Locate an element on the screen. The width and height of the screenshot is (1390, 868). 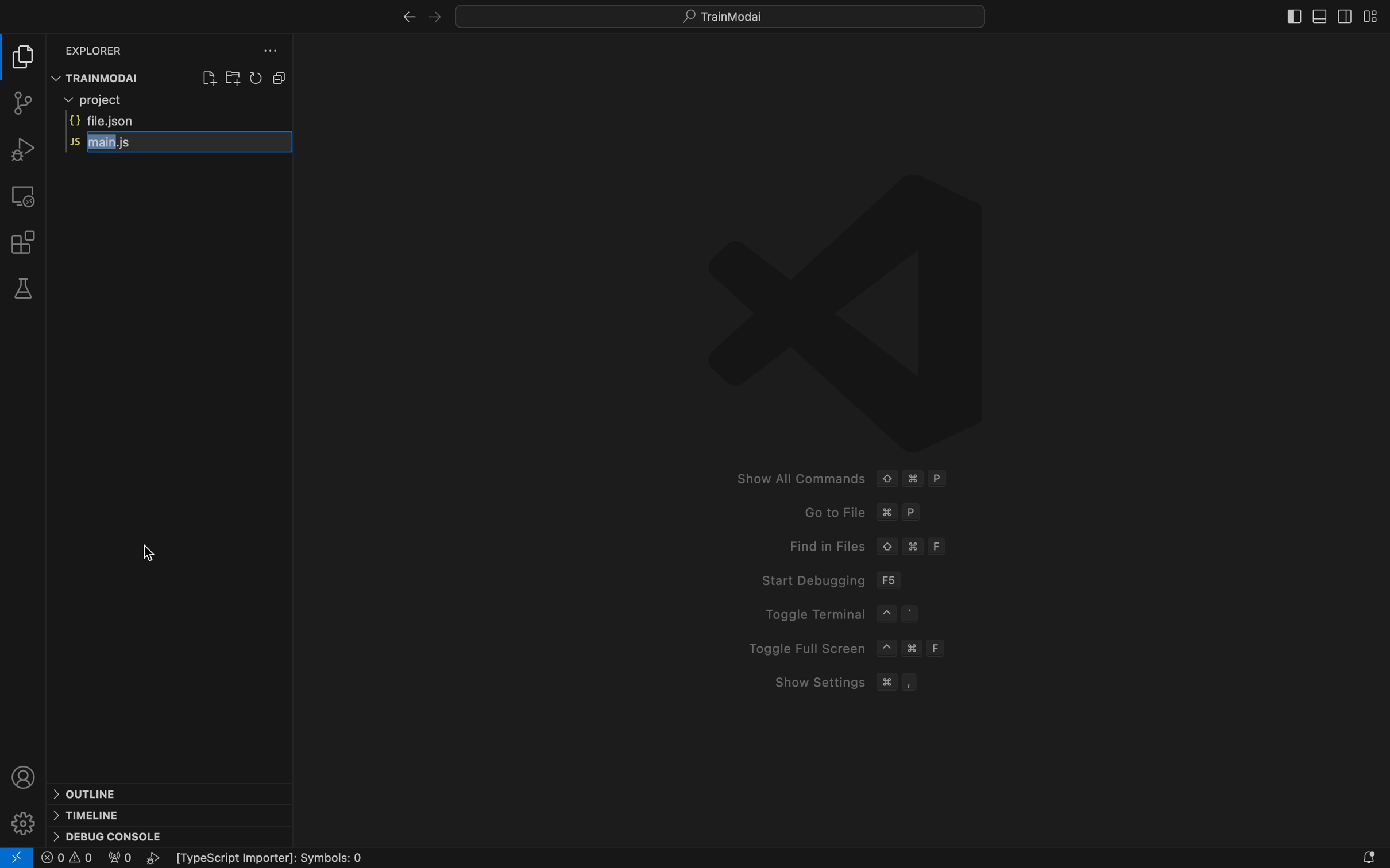
JS main.js is located at coordinates (175, 144).